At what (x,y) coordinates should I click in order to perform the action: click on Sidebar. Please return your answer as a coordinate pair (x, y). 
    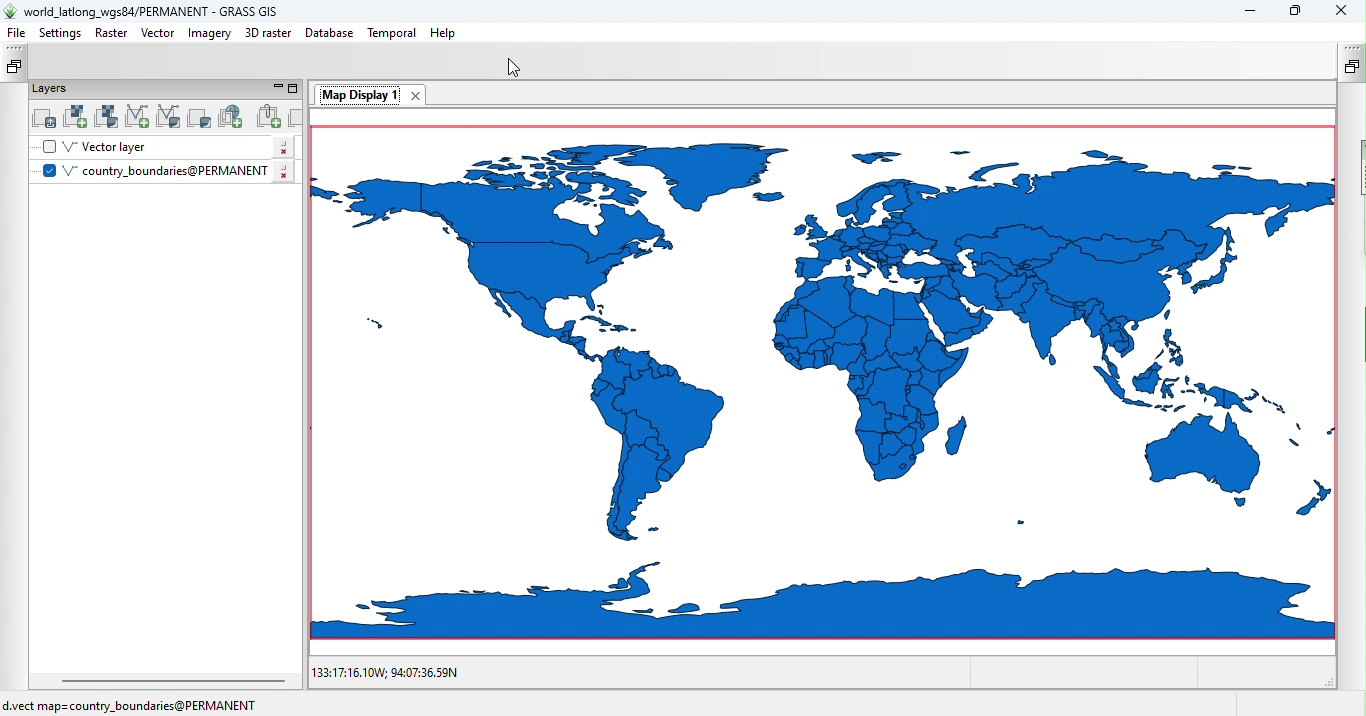
    Looking at the image, I should click on (1357, 172).